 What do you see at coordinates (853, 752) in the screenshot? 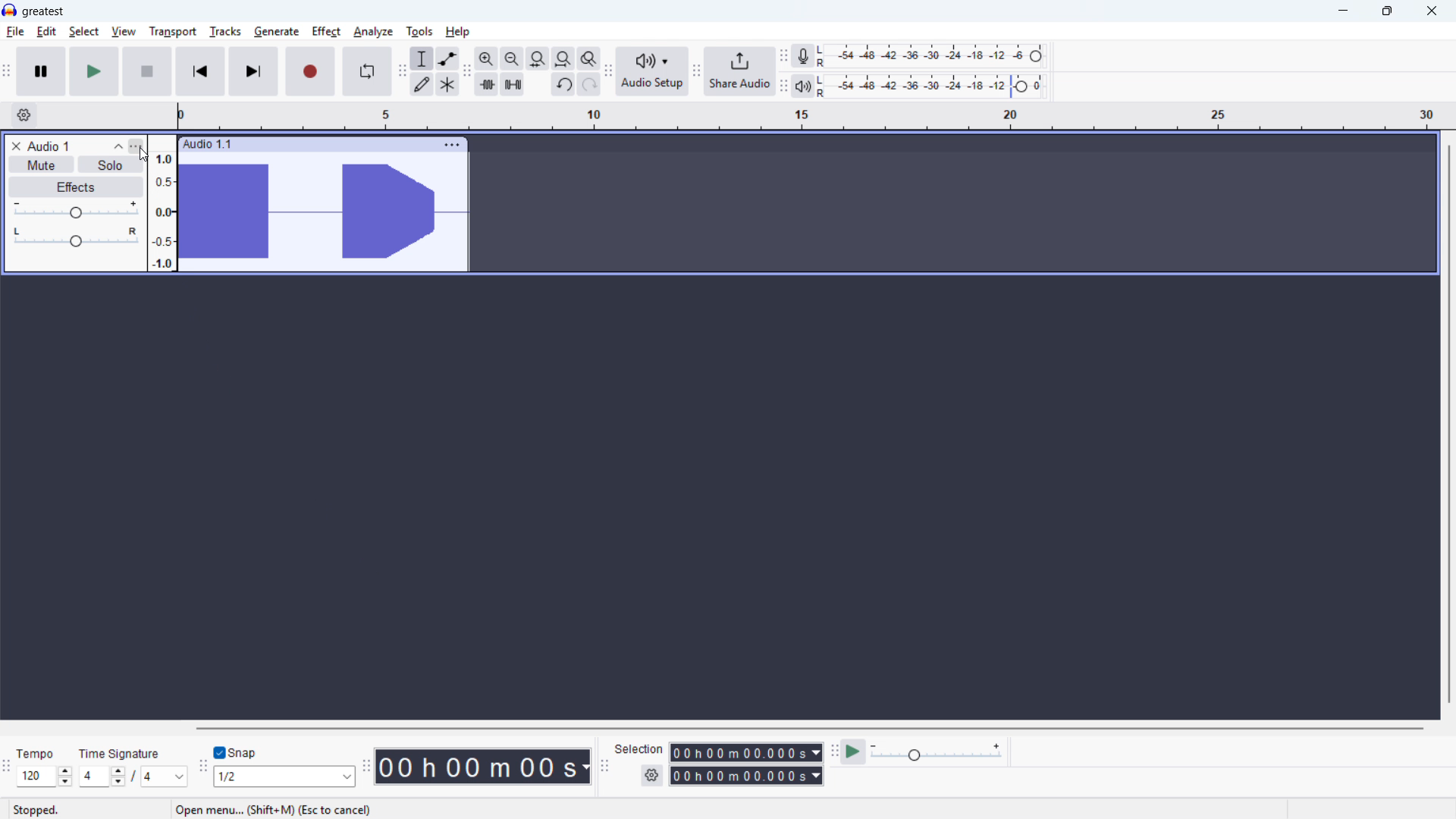
I see `play at speed` at bounding box center [853, 752].